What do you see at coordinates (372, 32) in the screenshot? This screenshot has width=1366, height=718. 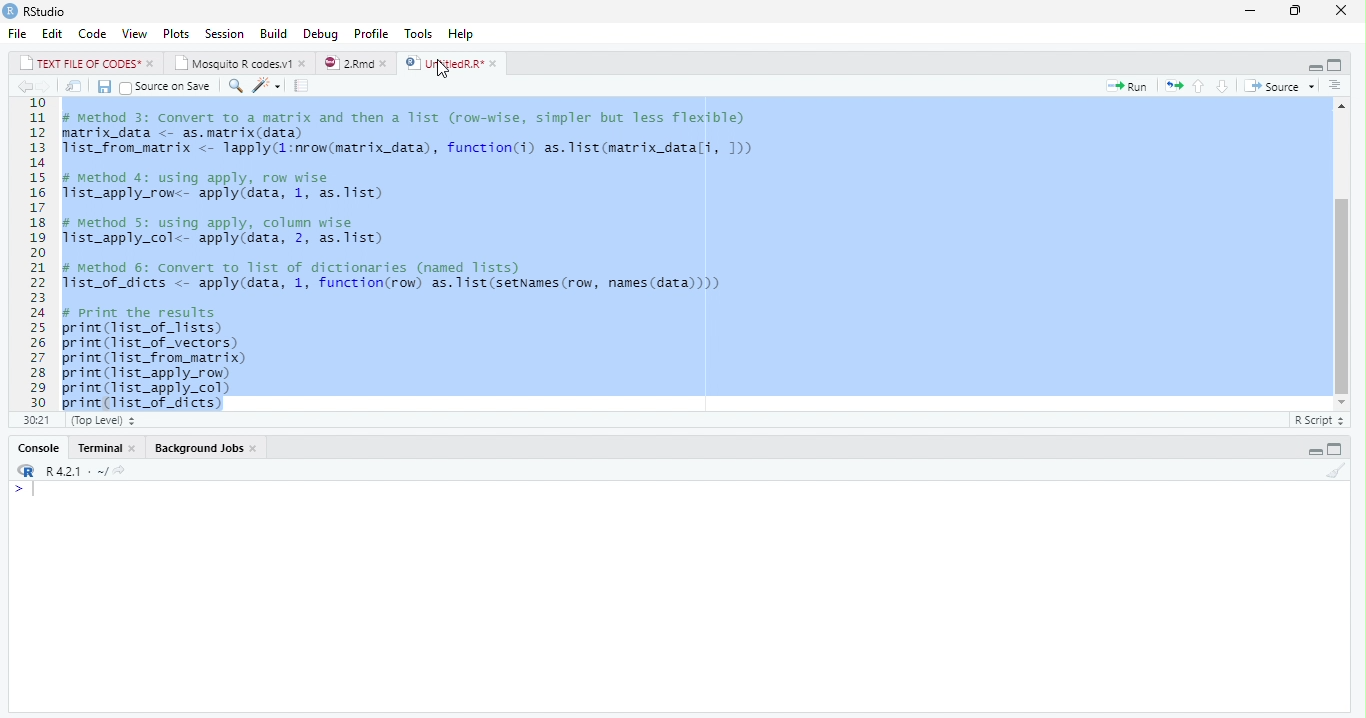 I see `Profile` at bounding box center [372, 32].